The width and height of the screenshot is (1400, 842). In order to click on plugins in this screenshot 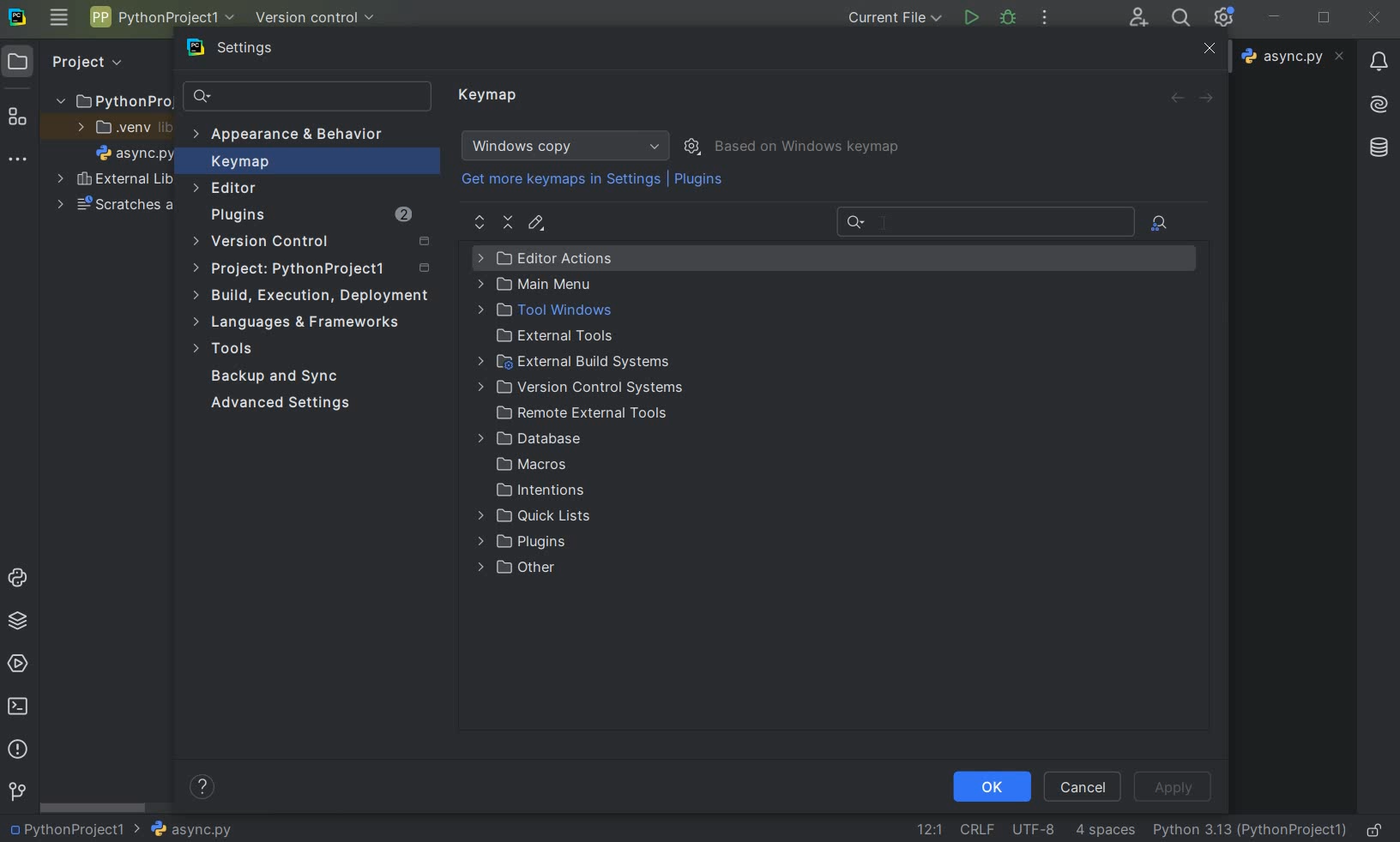, I will do `click(701, 183)`.